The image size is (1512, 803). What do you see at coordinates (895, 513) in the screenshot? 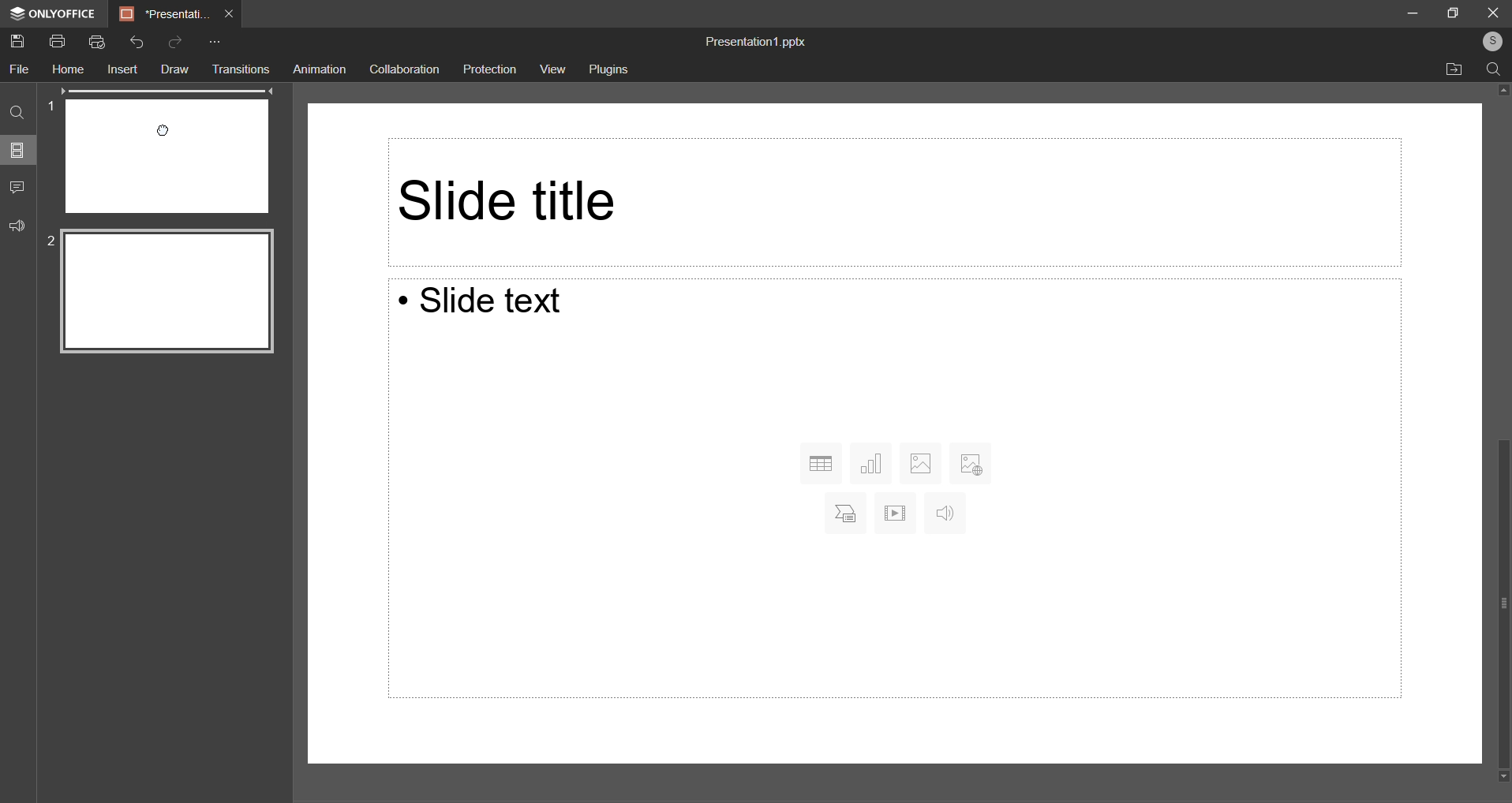
I see `Video` at bounding box center [895, 513].